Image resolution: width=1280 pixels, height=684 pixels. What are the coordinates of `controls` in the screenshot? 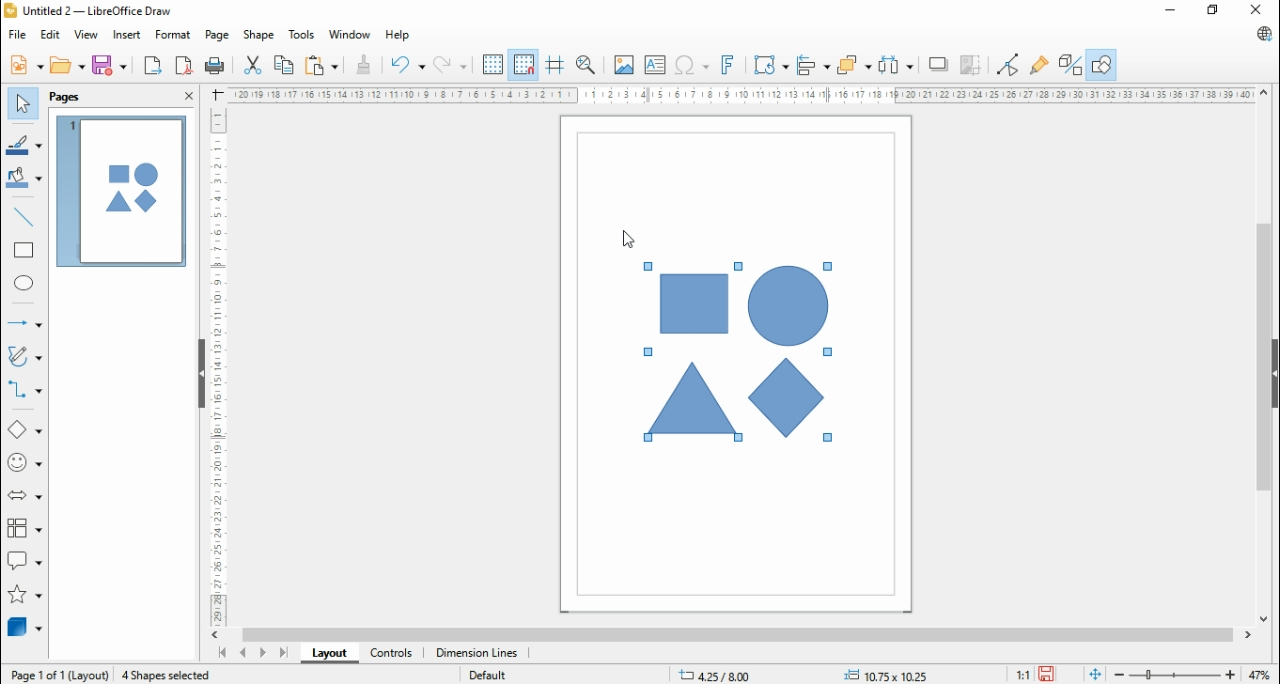 It's located at (390, 654).